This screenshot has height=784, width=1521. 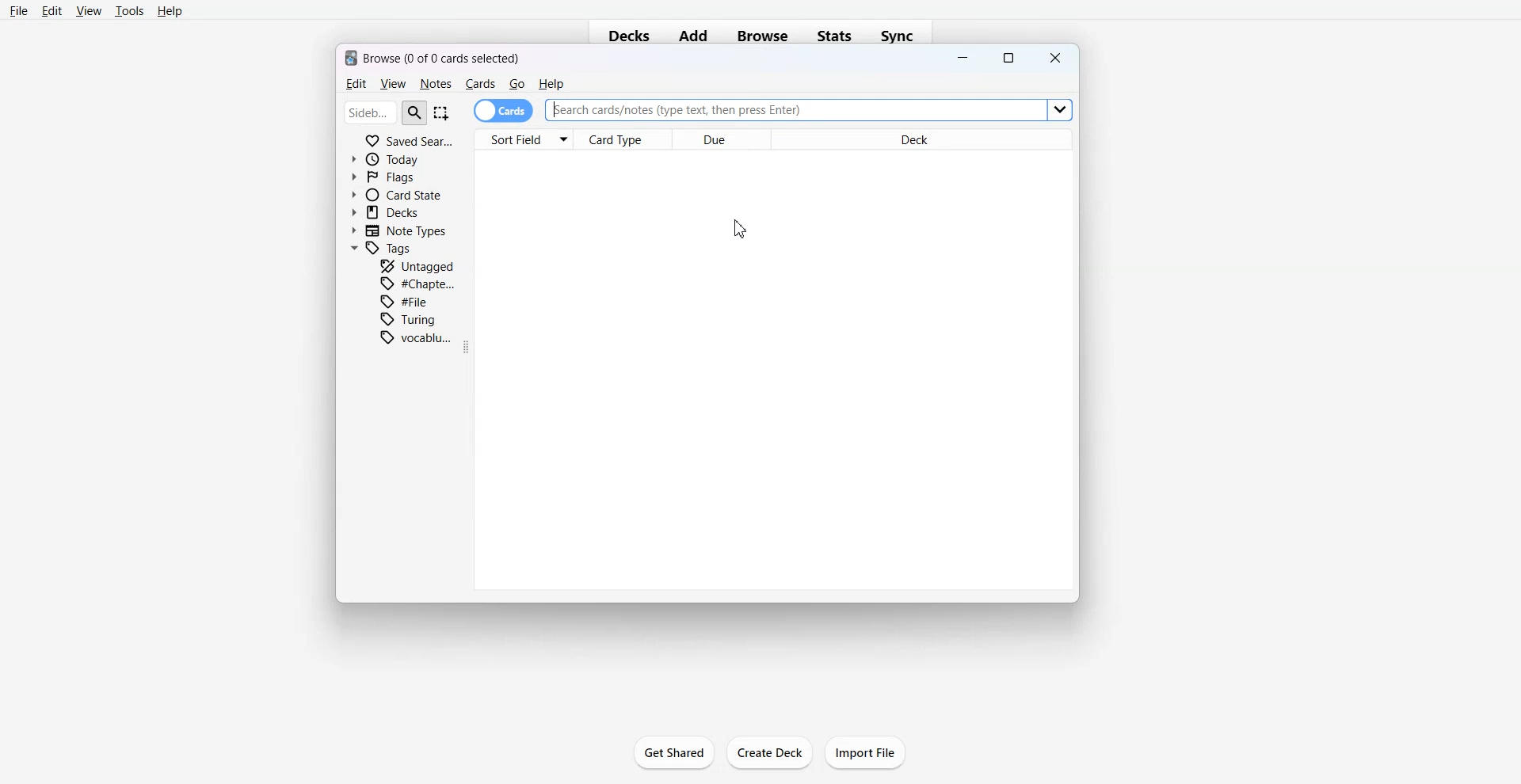 What do you see at coordinates (400, 230) in the screenshot?
I see `Note Types` at bounding box center [400, 230].